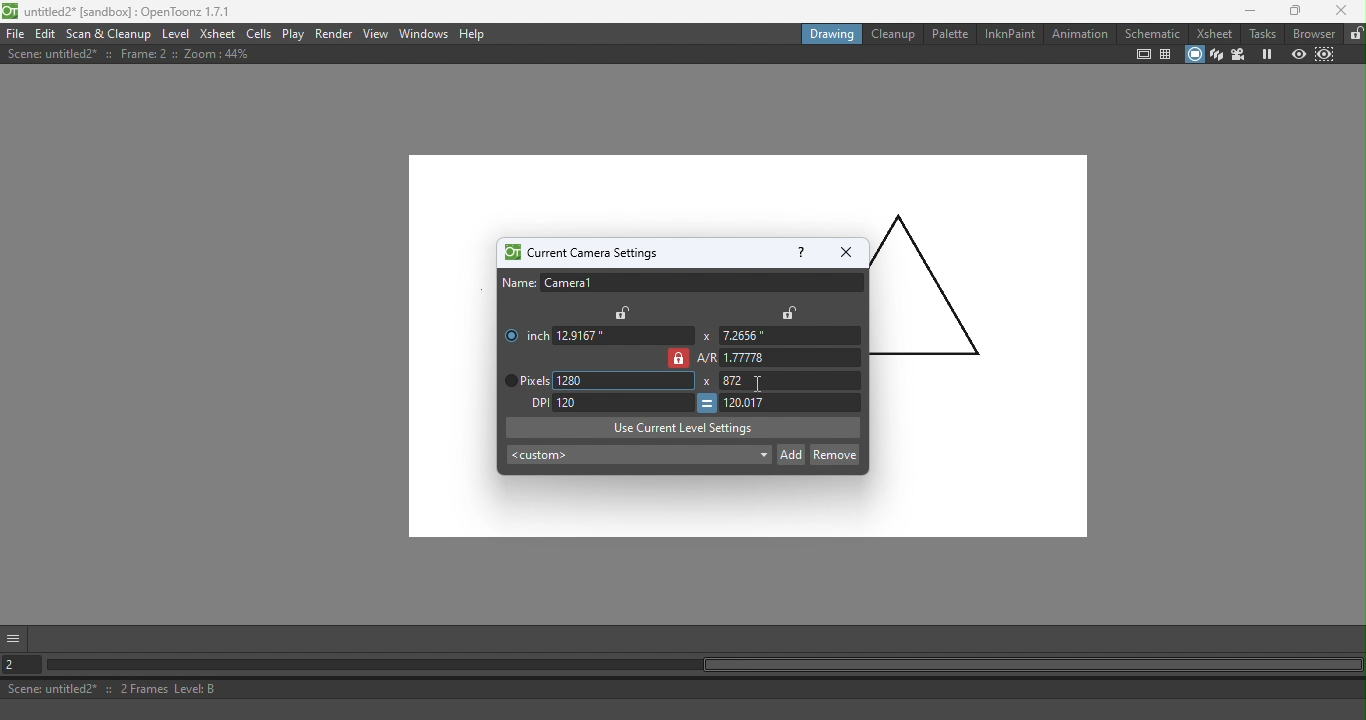 This screenshot has height=720, width=1366. I want to click on canvas, so click(638, 508).